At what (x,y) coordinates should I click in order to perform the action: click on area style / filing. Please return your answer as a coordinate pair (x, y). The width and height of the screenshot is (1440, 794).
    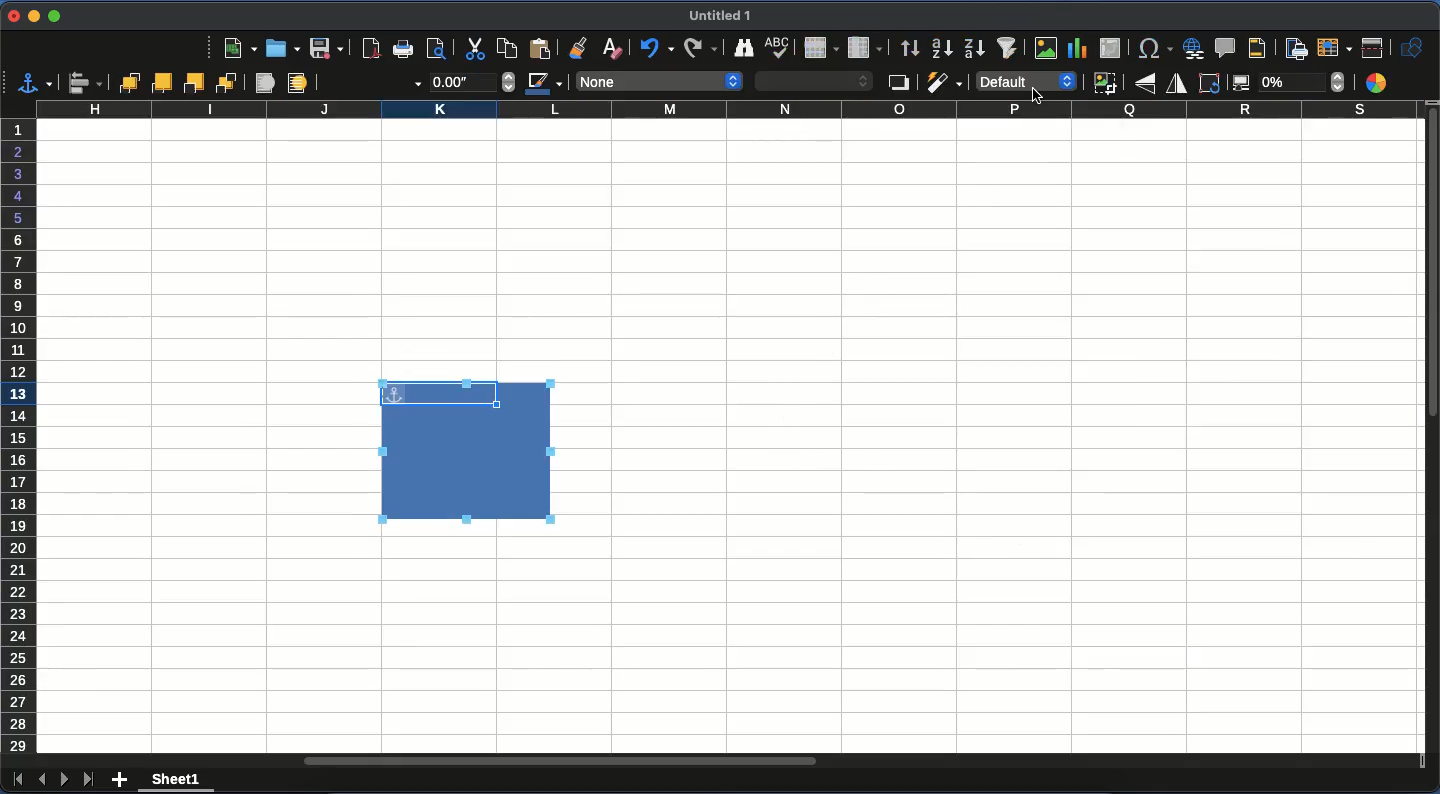
    Looking at the image, I should click on (816, 81).